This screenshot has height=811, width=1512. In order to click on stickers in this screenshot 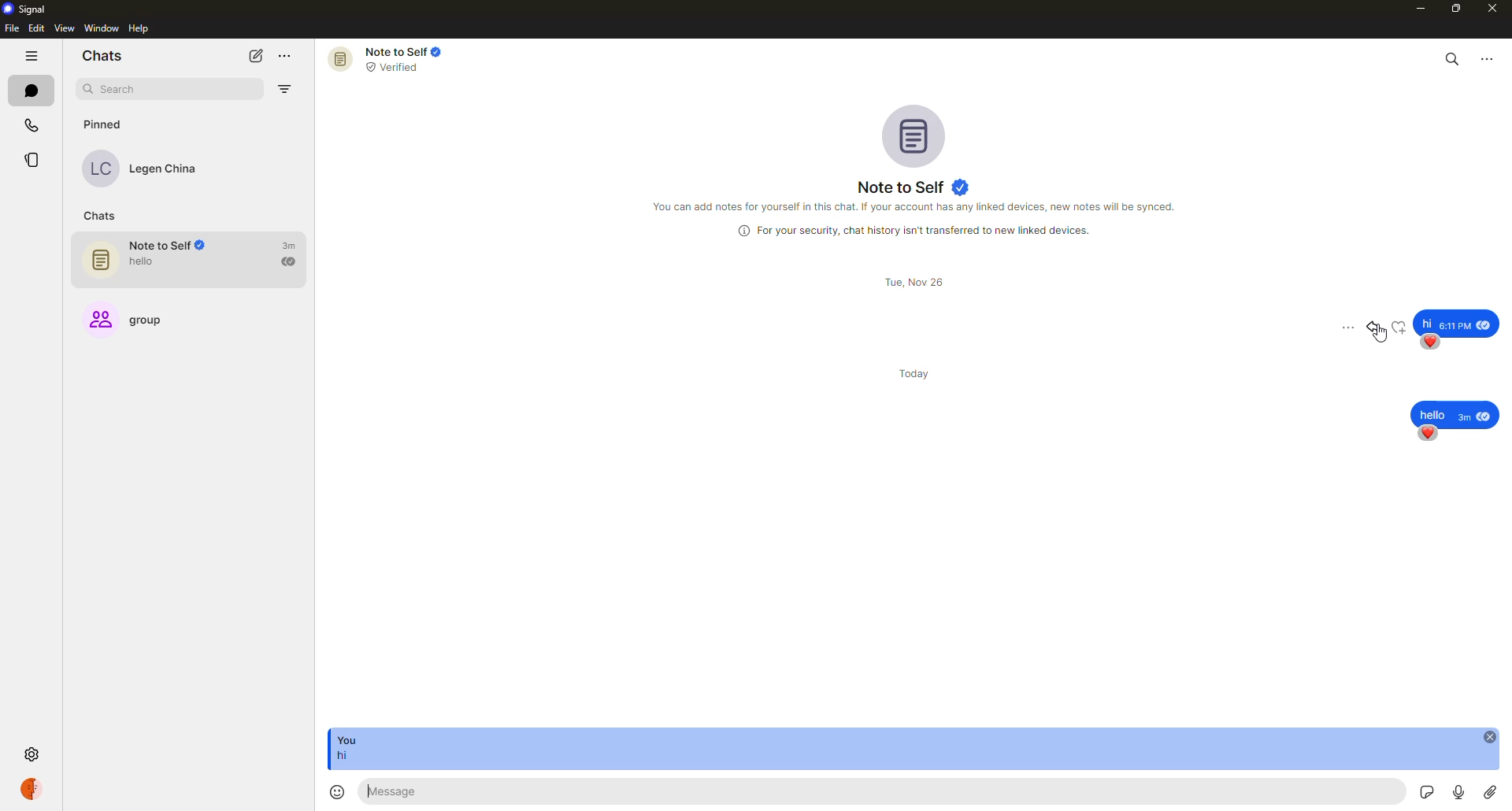, I will do `click(1416, 789)`.